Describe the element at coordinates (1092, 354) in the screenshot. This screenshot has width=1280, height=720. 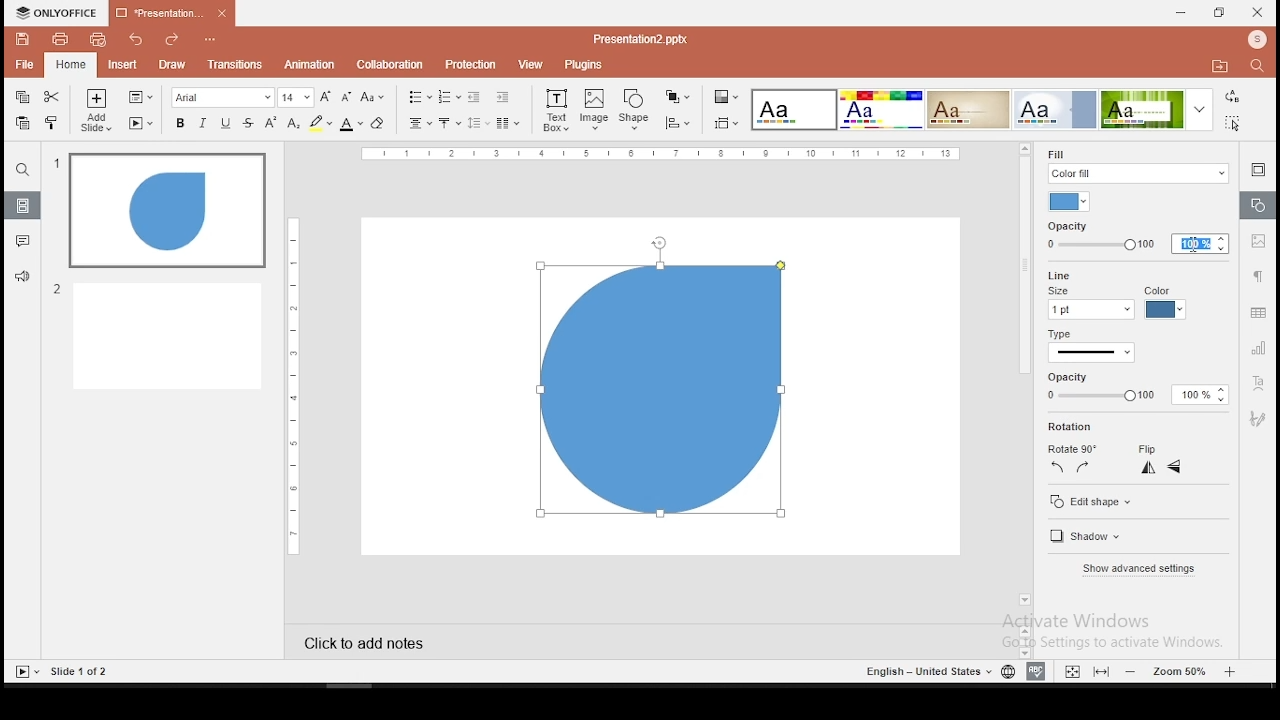
I see `line type selection` at that location.